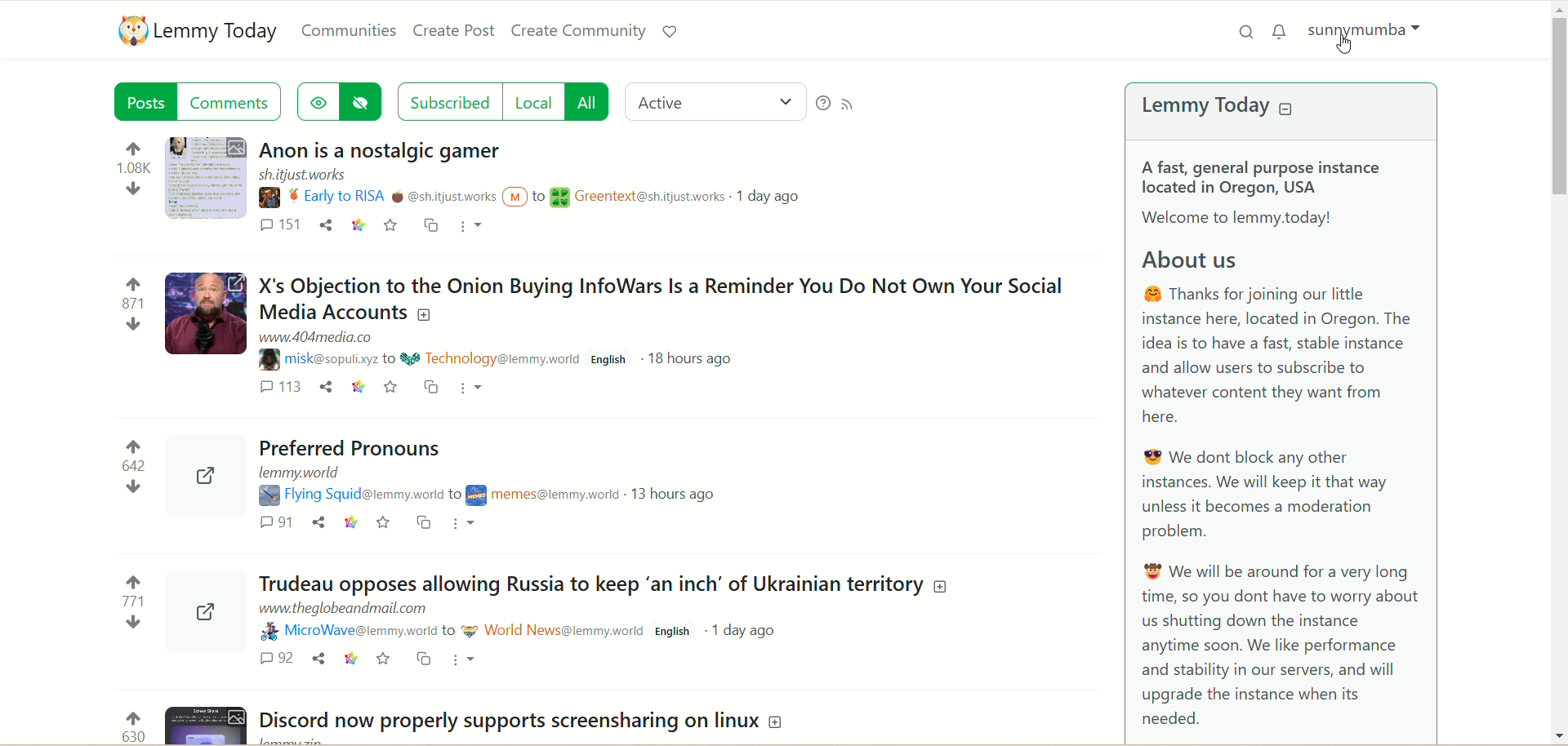 This screenshot has width=1568, height=746. Describe the element at coordinates (1371, 33) in the screenshot. I see `sunnymumba(account)` at that location.